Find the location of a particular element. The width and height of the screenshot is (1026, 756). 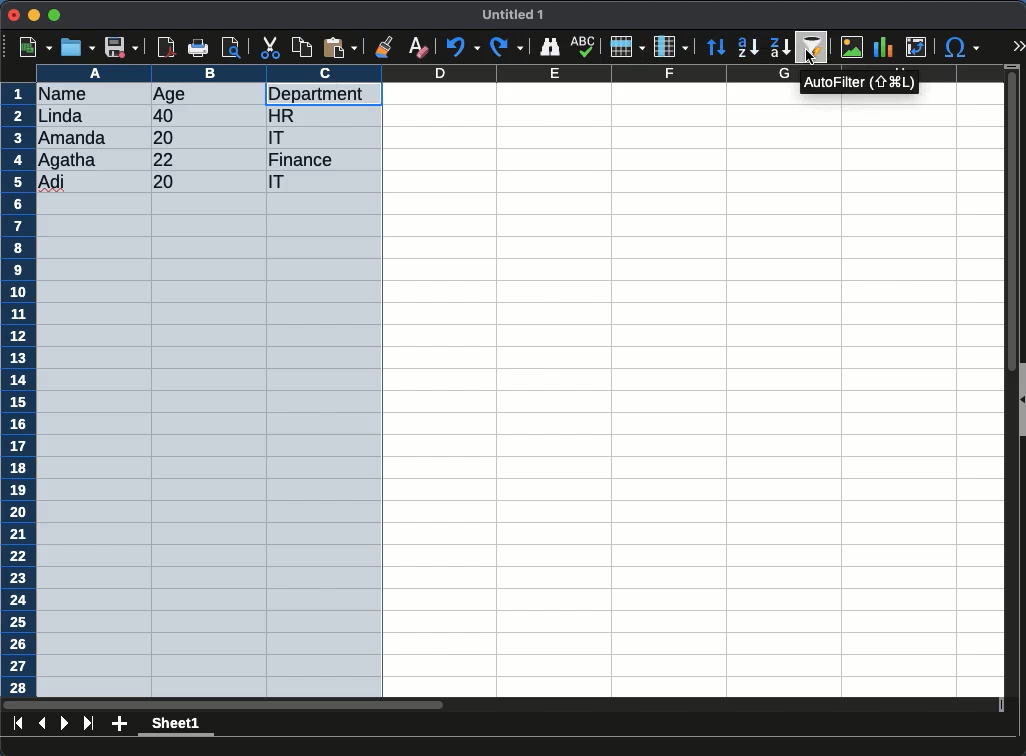

copy is located at coordinates (303, 47).